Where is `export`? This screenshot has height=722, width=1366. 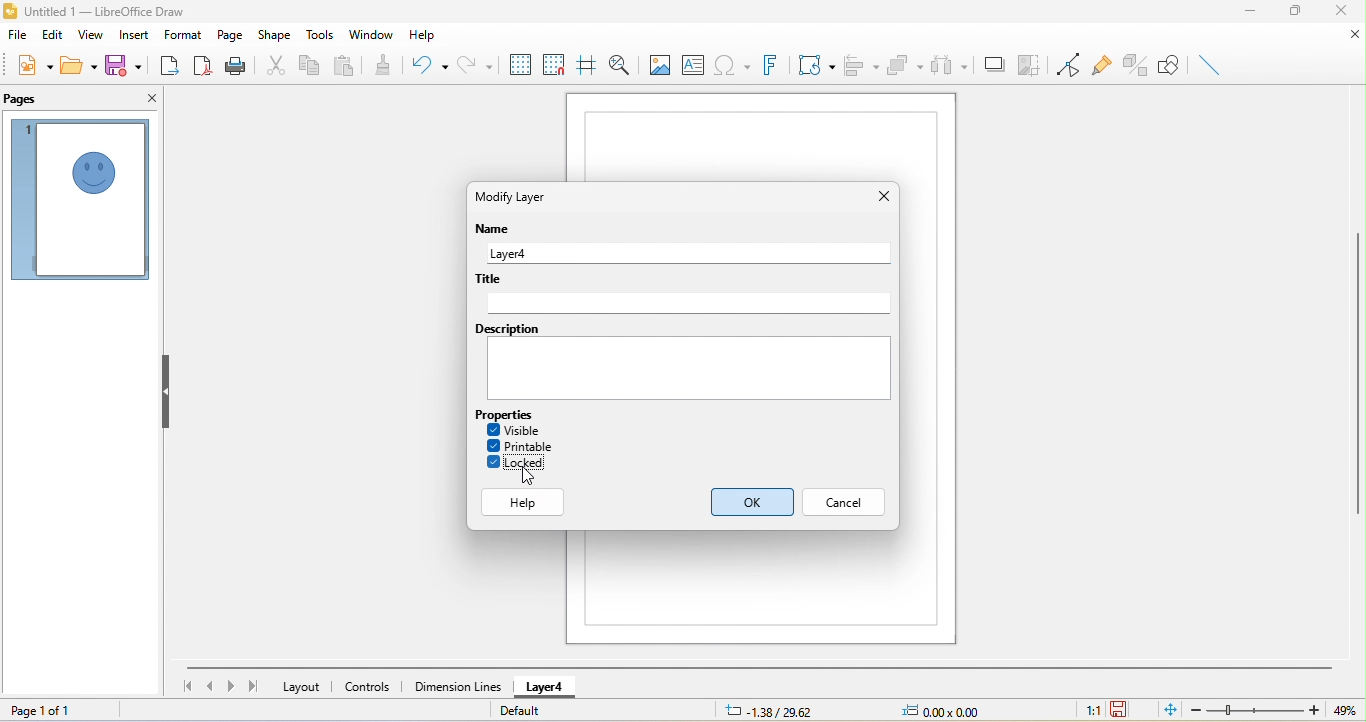 export is located at coordinates (167, 63).